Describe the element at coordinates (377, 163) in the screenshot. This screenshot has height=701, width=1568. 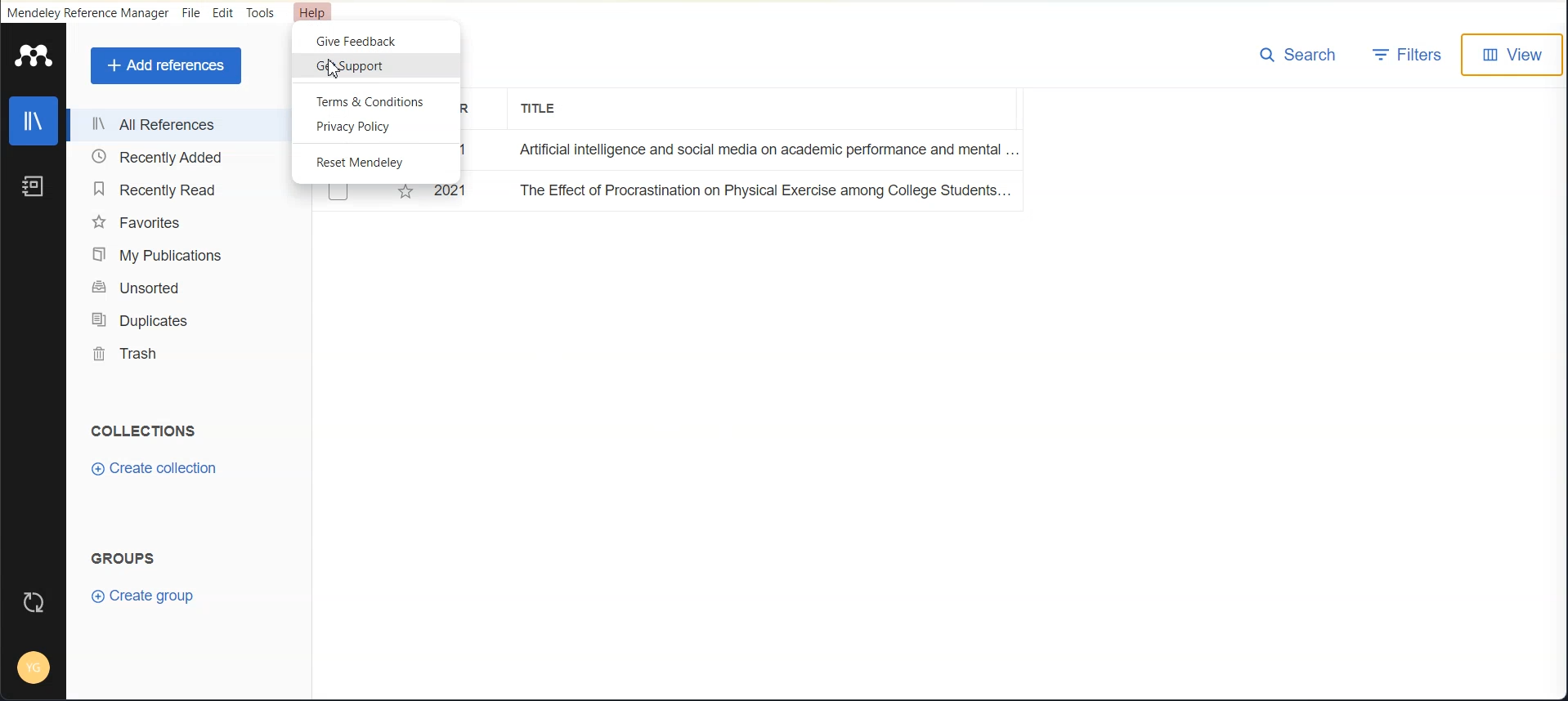
I see `Reset Mendeley` at that location.